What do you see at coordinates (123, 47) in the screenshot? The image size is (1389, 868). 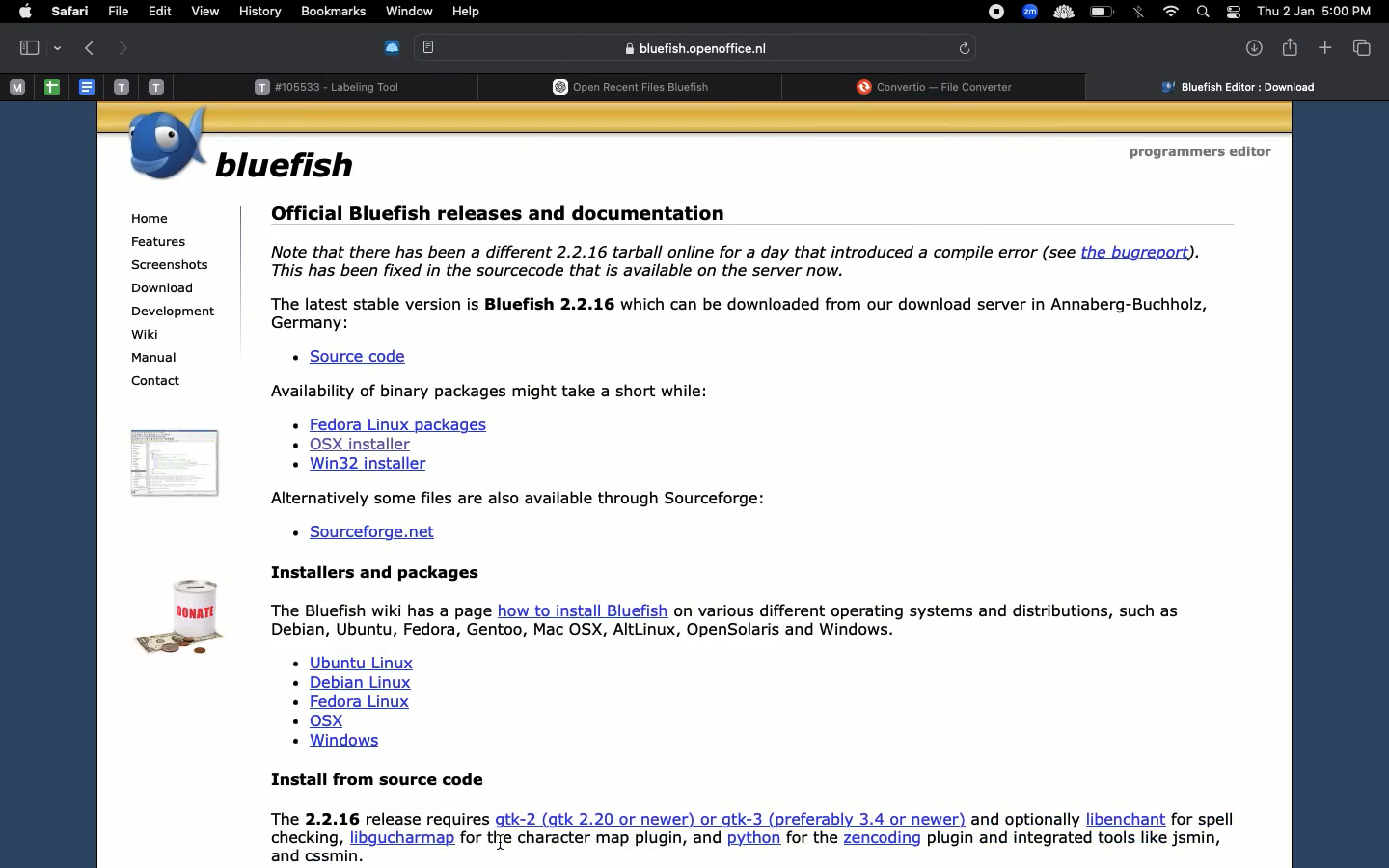 I see `forward` at bounding box center [123, 47].